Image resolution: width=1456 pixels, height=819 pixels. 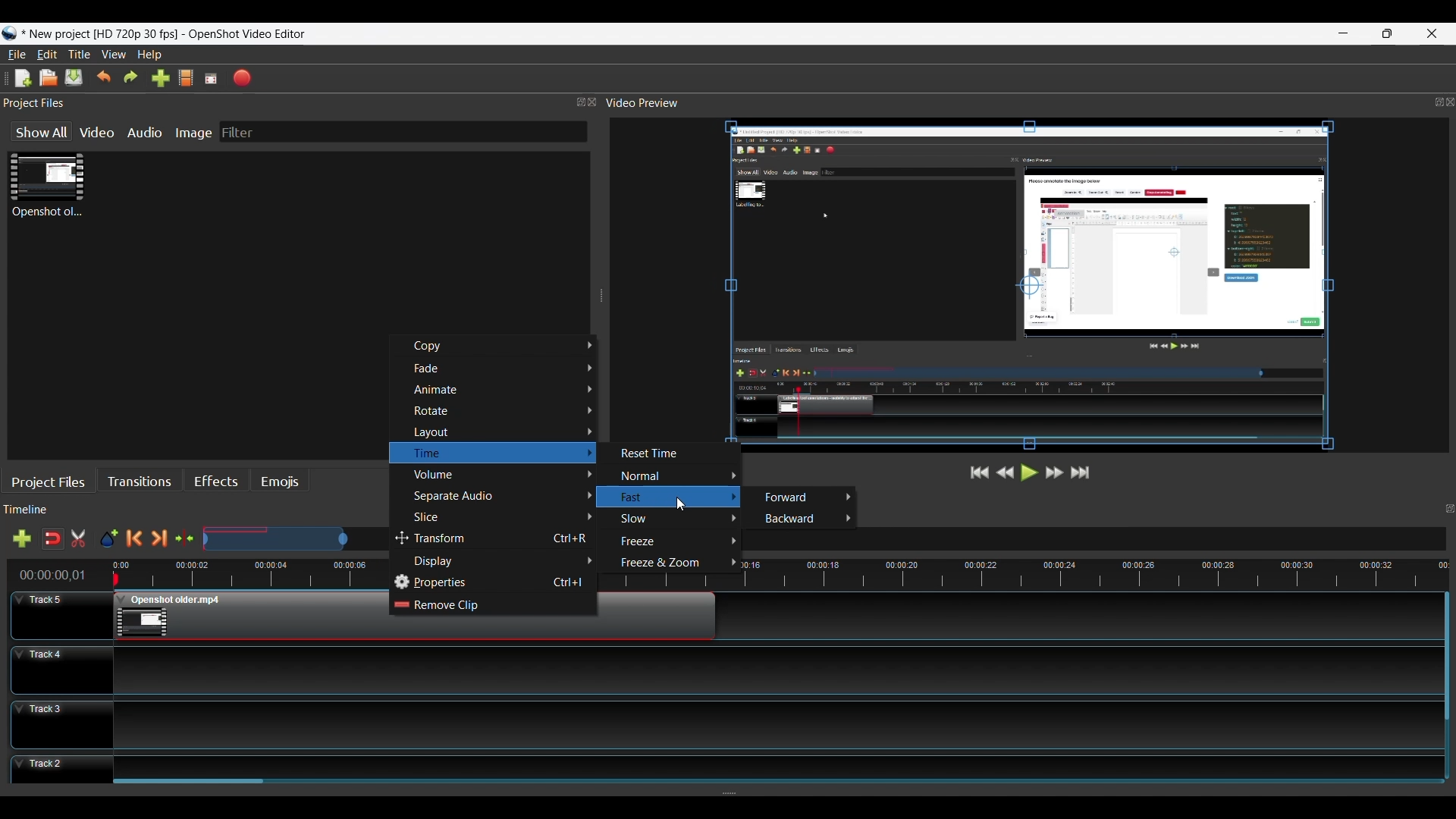 What do you see at coordinates (108, 540) in the screenshot?
I see `Add Marker` at bounding box center [108, 540].